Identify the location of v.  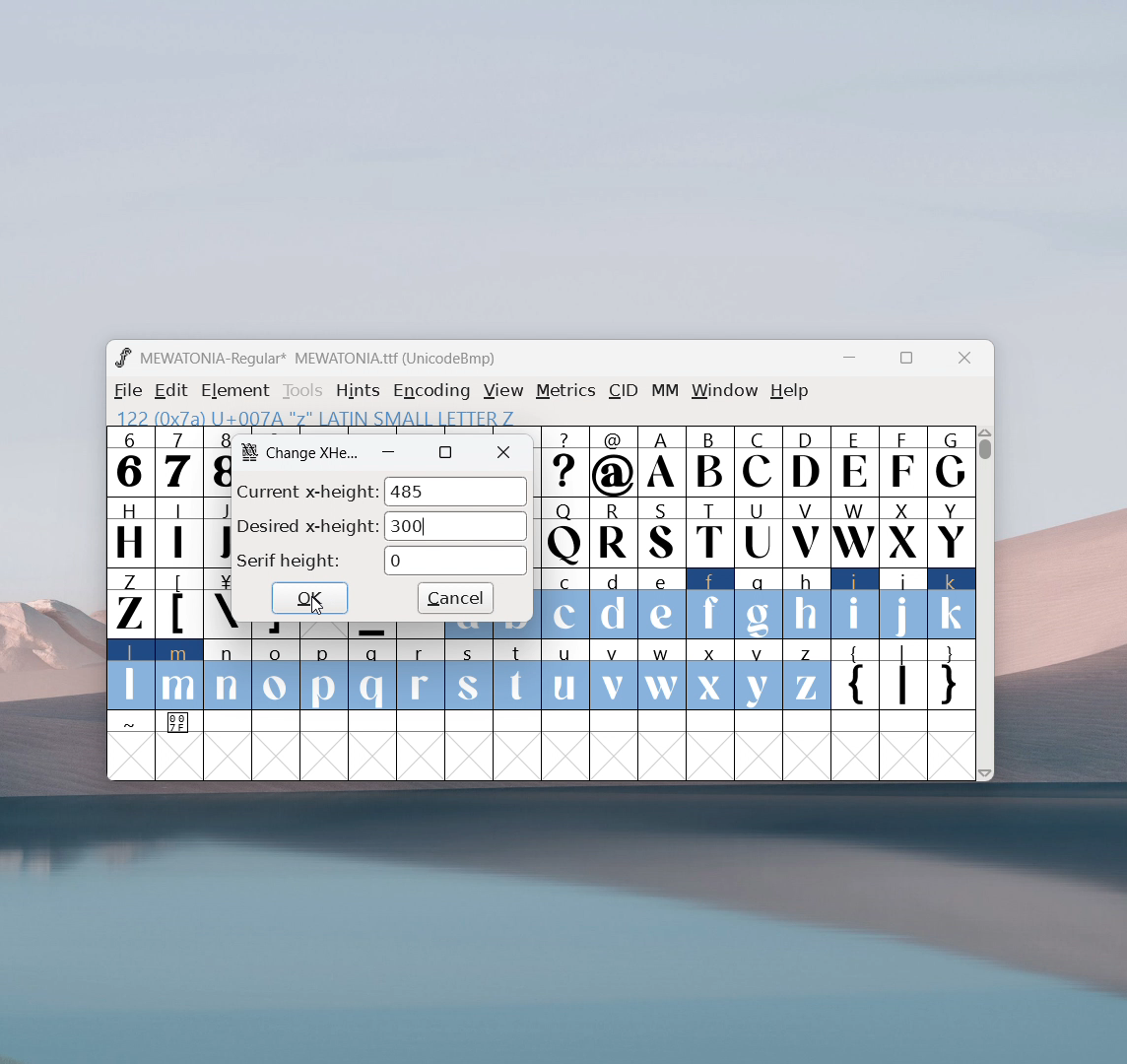
(613, 674).